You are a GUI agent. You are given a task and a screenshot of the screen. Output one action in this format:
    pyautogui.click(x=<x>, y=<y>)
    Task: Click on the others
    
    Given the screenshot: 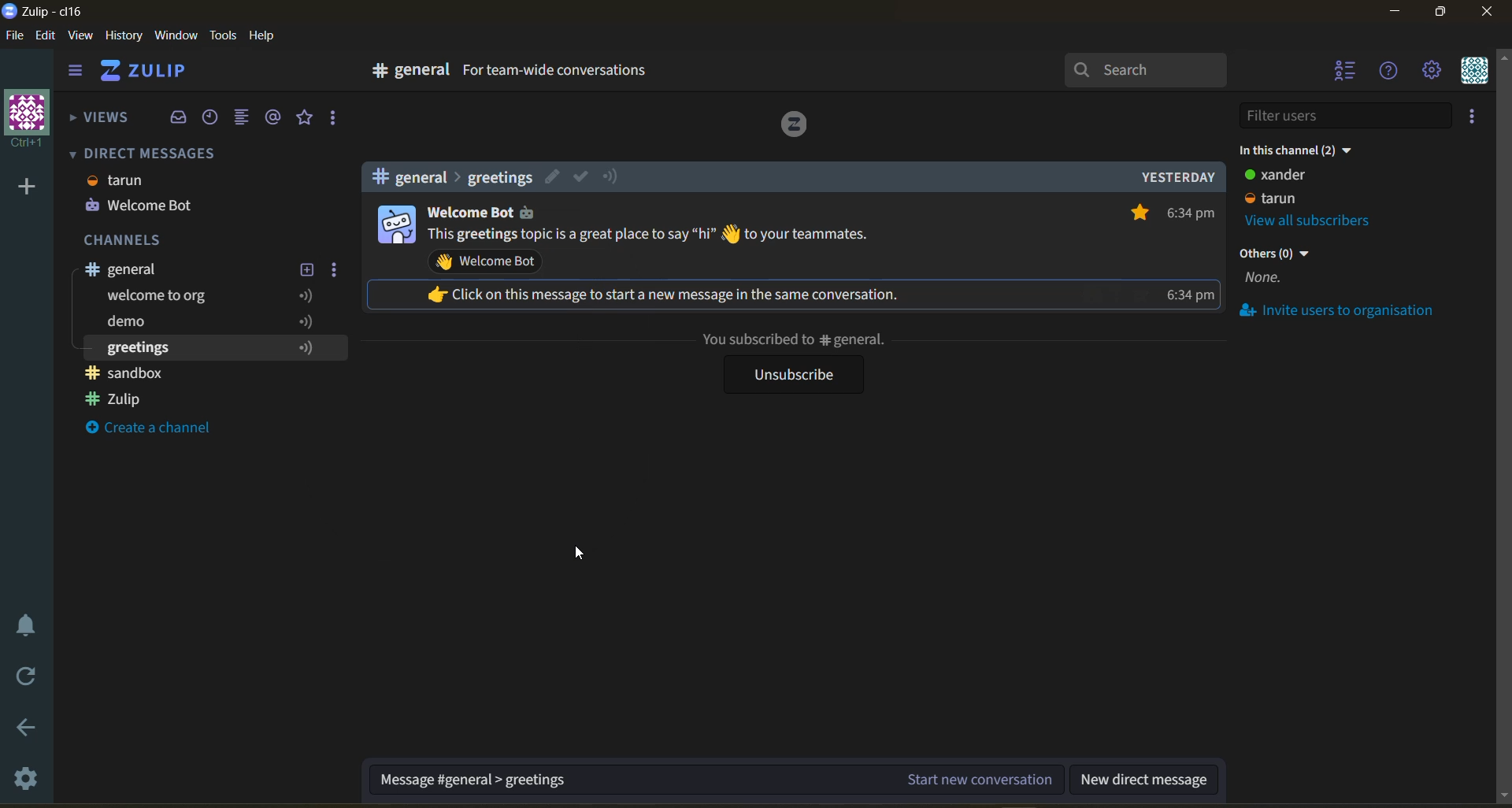 What is the action you would take?
    pyautogui.click(x=1277, y=269)
    